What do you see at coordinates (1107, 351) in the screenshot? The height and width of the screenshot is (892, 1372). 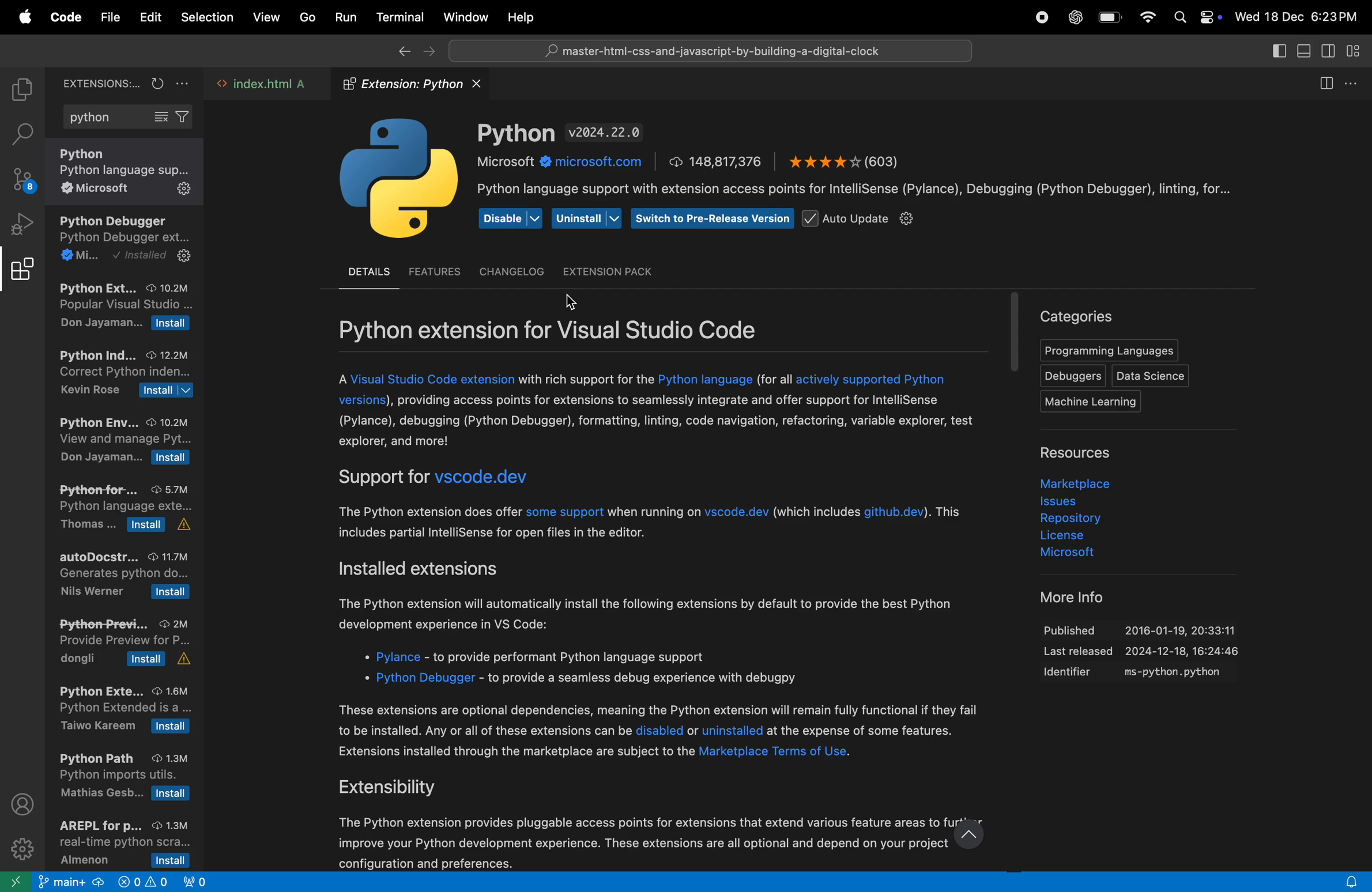 I see `programming languages` at bounding box center [1107, 351].